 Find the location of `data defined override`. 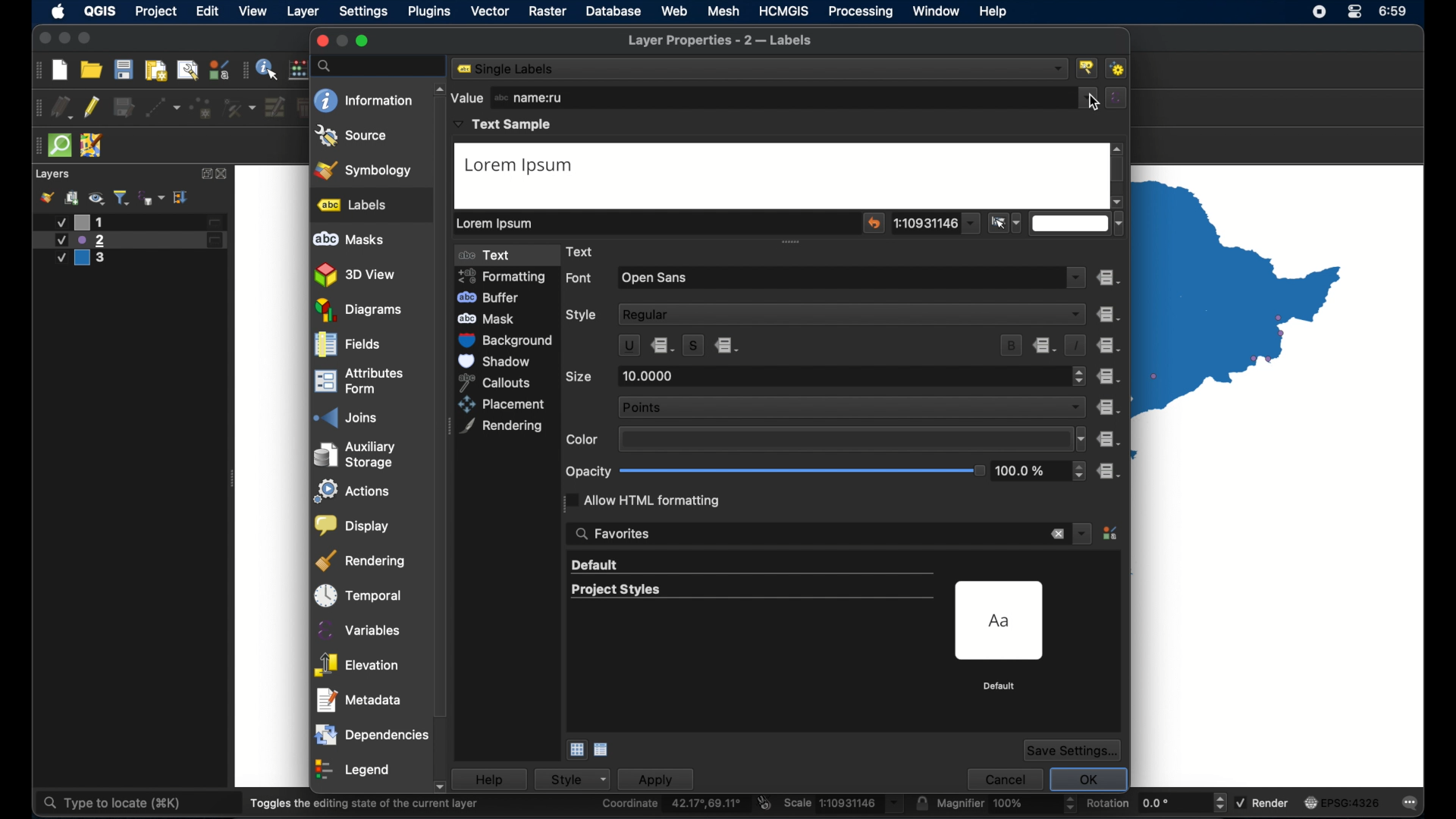

data defined override is located at coordinates (1107, 407).